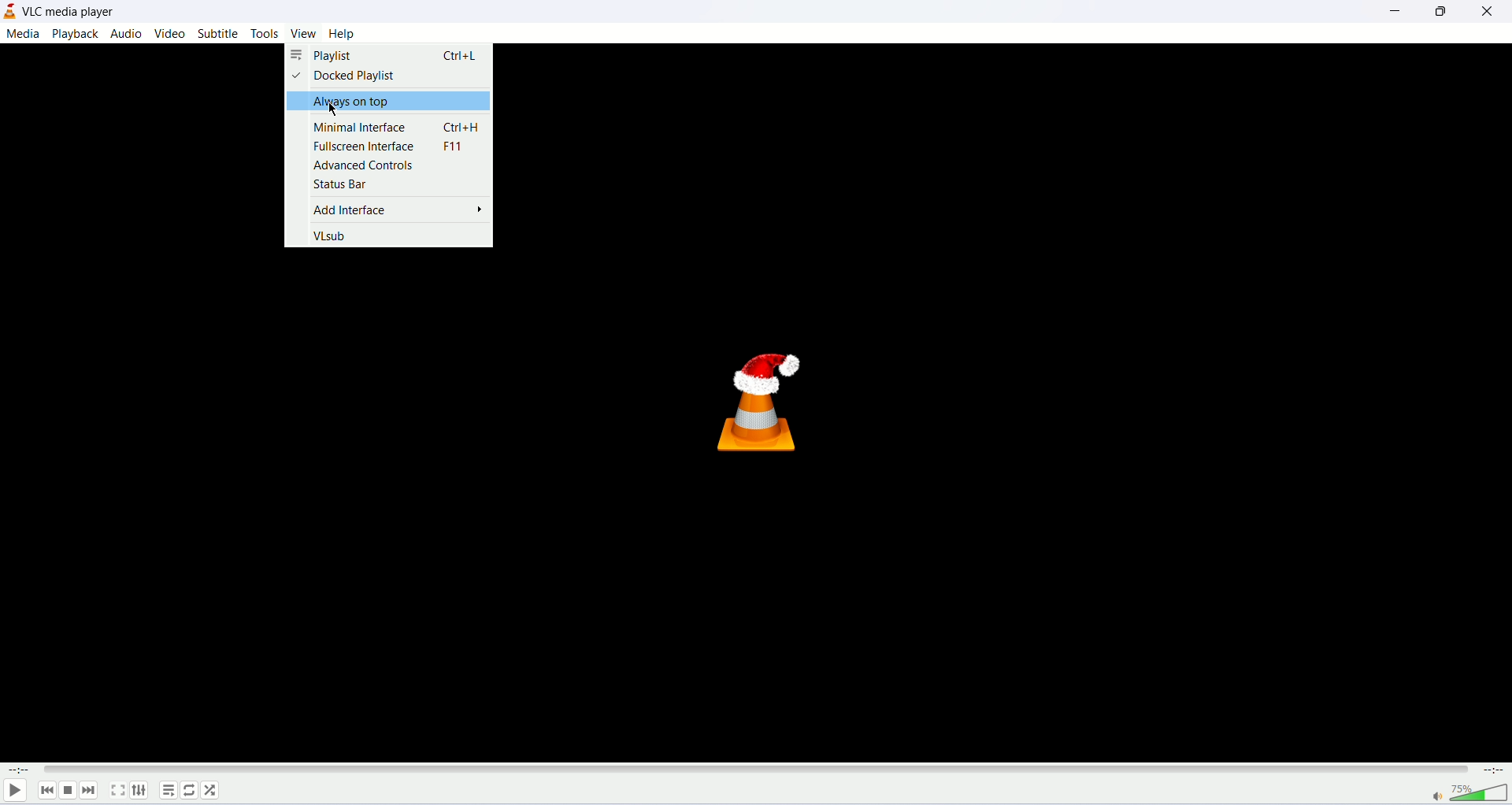 The height and width of the screenshot is (805, 1512). I want to click on loop, so click(190, 792).